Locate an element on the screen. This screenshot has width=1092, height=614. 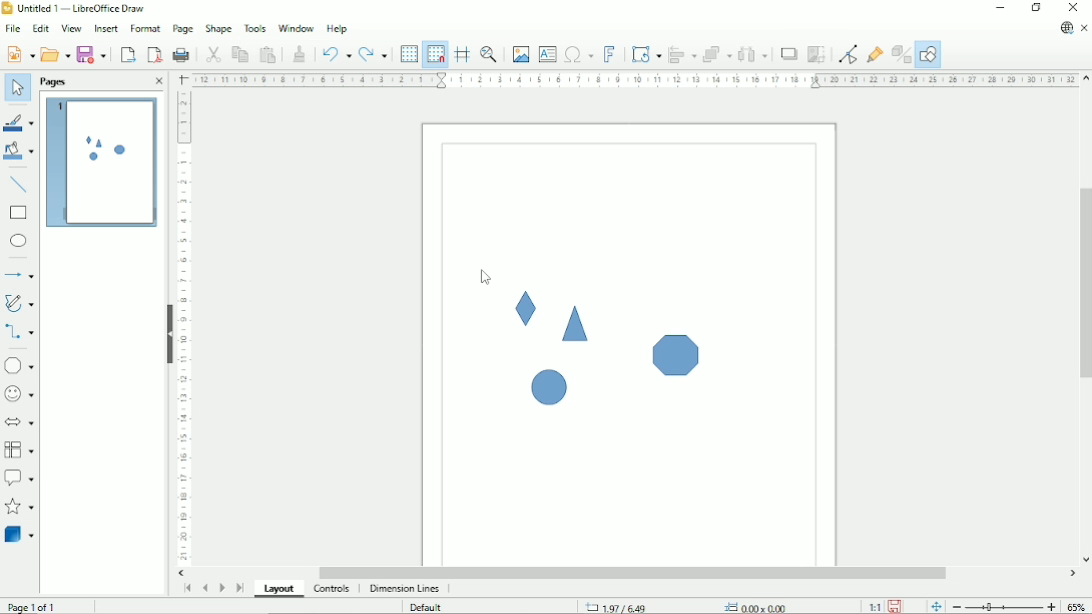
Vertical scale is located at coordinates (182, 328).